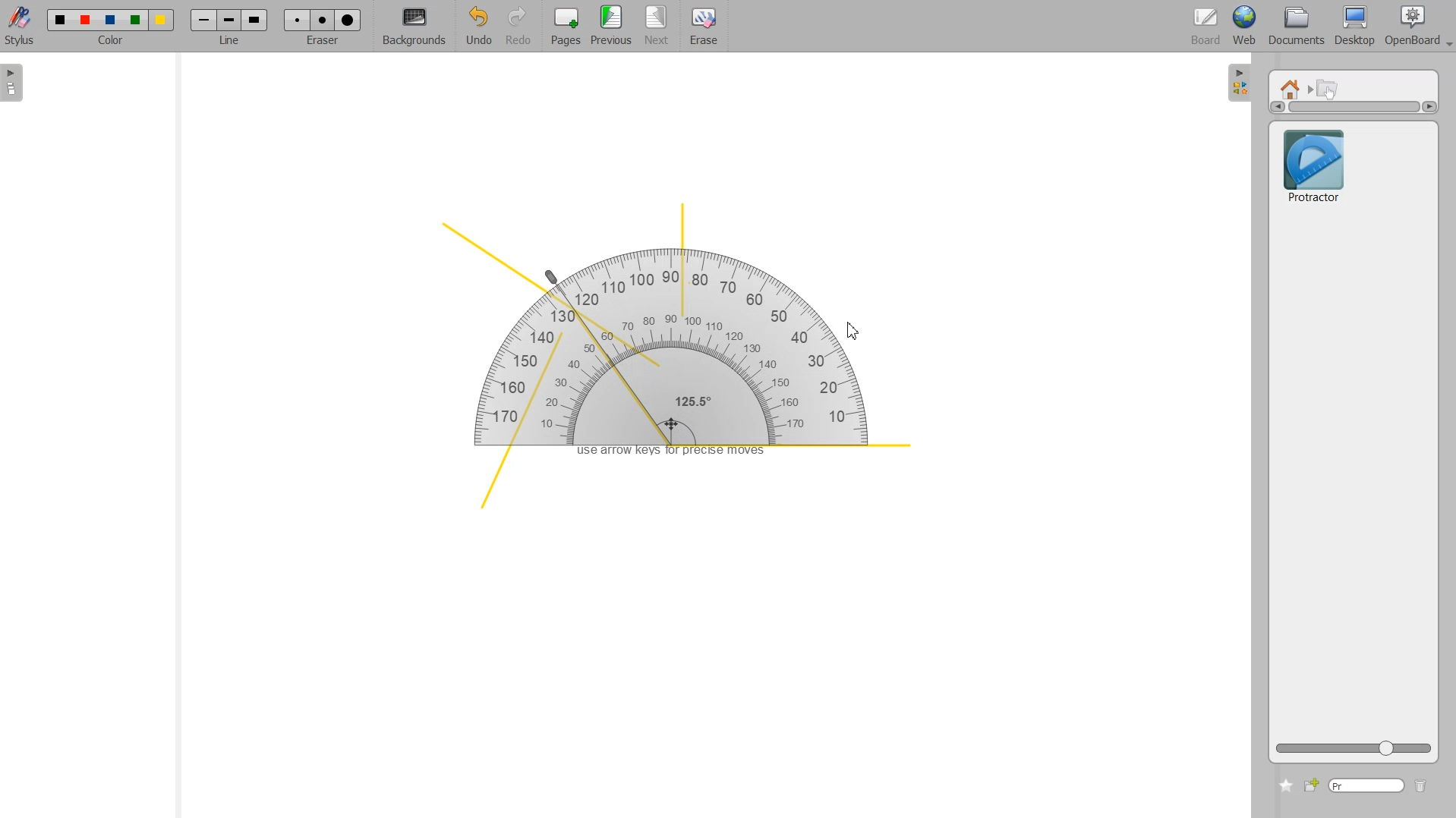 Image resolution: width=1456 pixels, height=818 pixels. I want to click on eraser, so click(320, 45).